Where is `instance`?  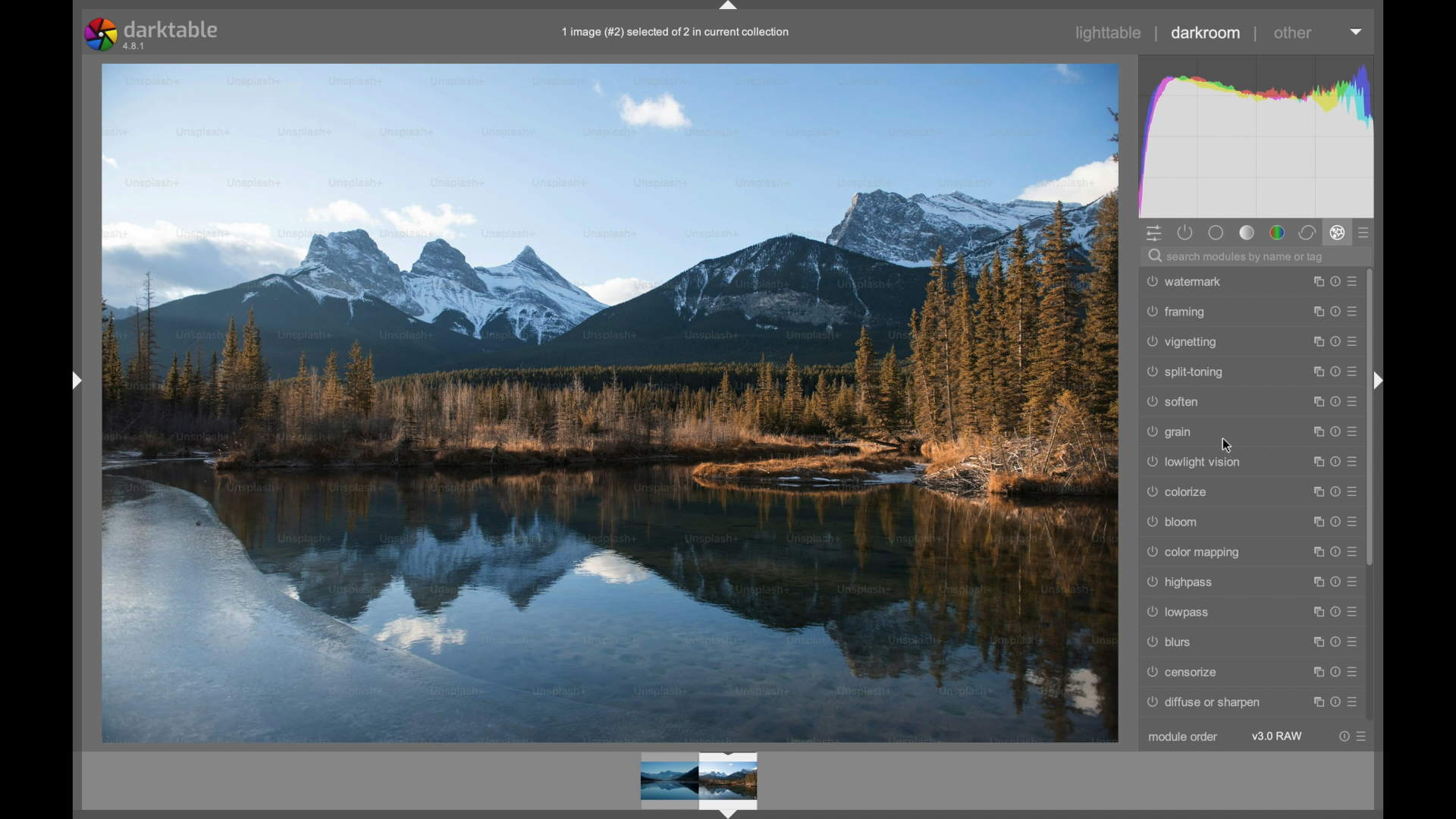
instance is located at coordinates (1316, 372).